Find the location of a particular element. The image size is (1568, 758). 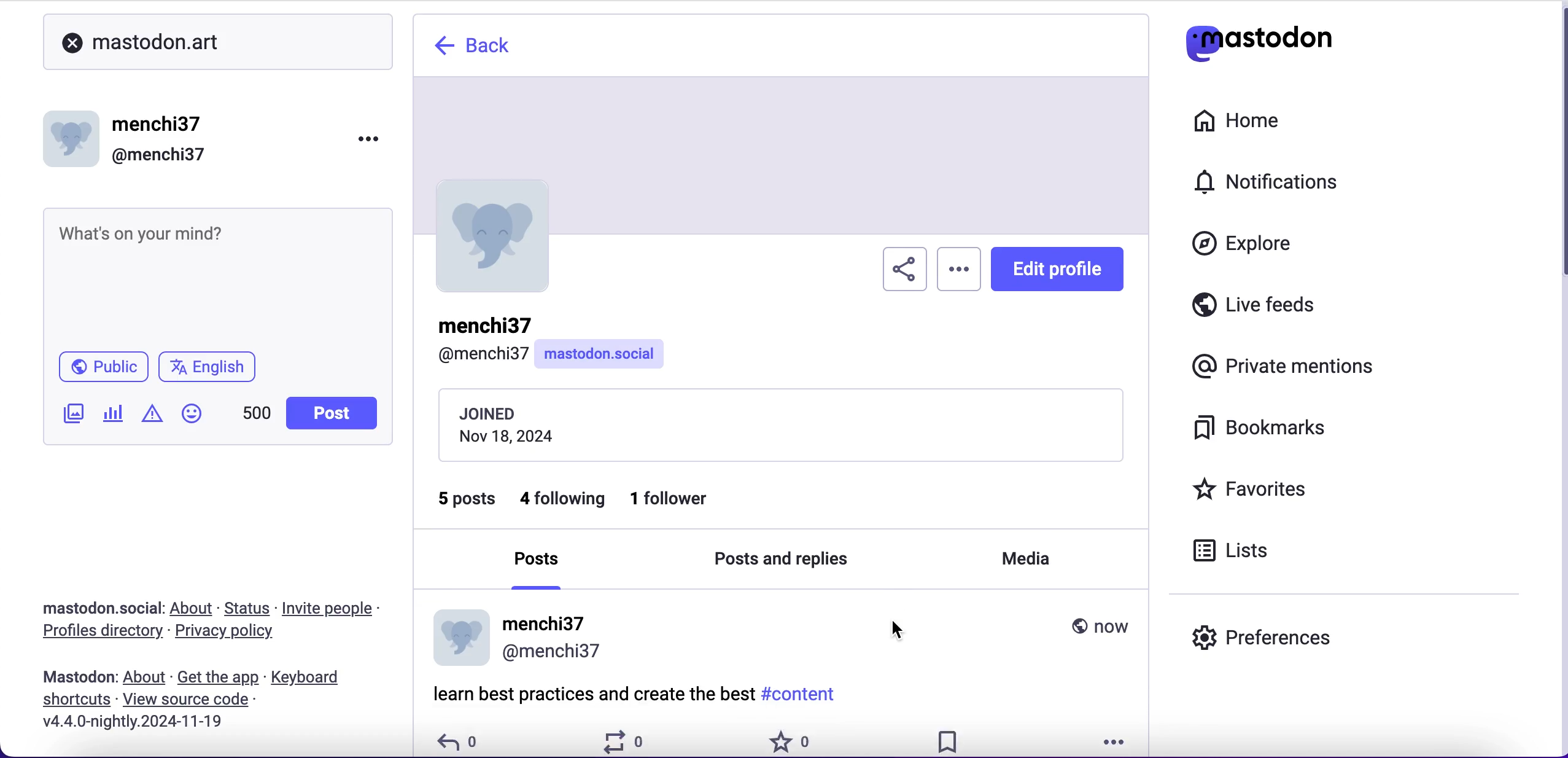

 is located at coordinates (187, 699).